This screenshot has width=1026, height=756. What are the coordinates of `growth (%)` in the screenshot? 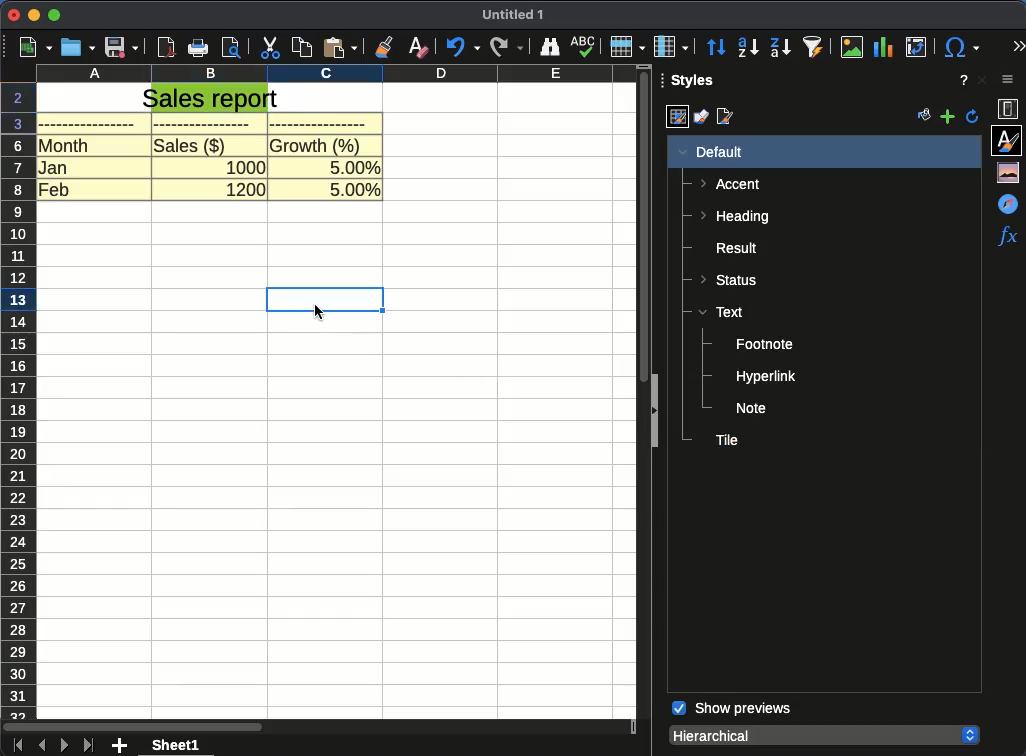 It's located at (317, 144).